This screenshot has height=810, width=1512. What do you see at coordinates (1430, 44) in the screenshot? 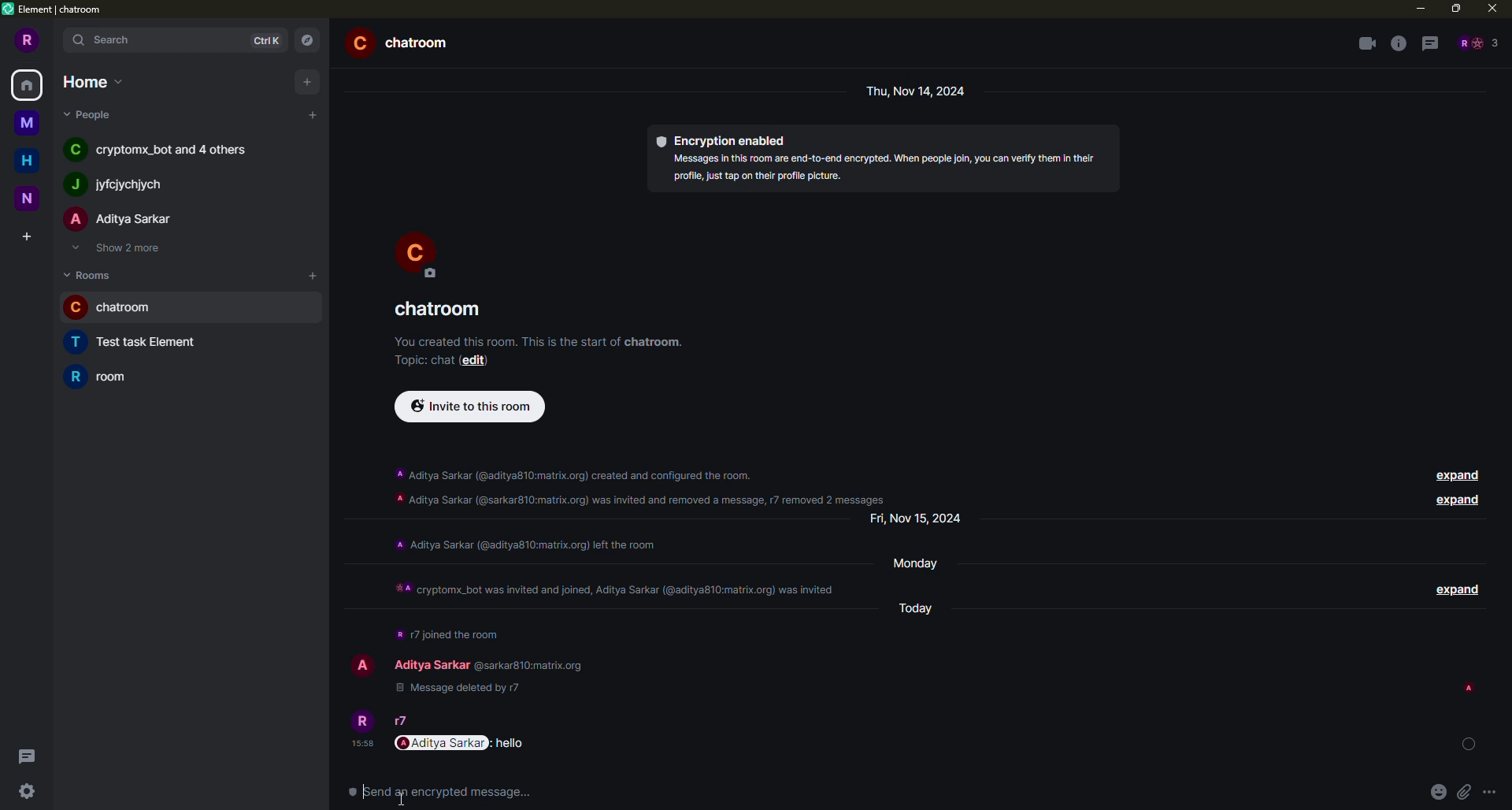
I see `threads` at bounding box center [1430, 44].